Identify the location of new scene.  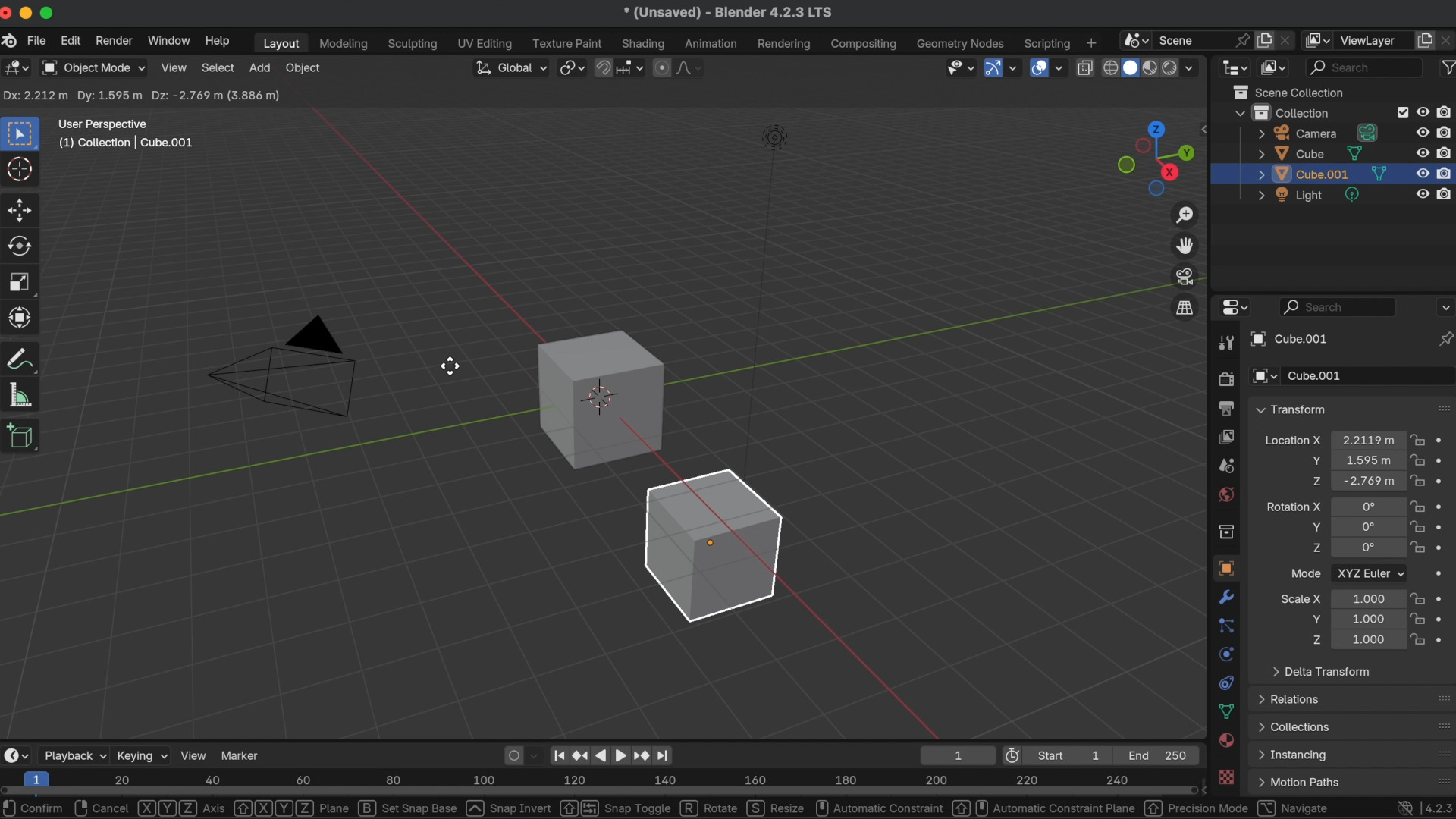
(1265, 40).